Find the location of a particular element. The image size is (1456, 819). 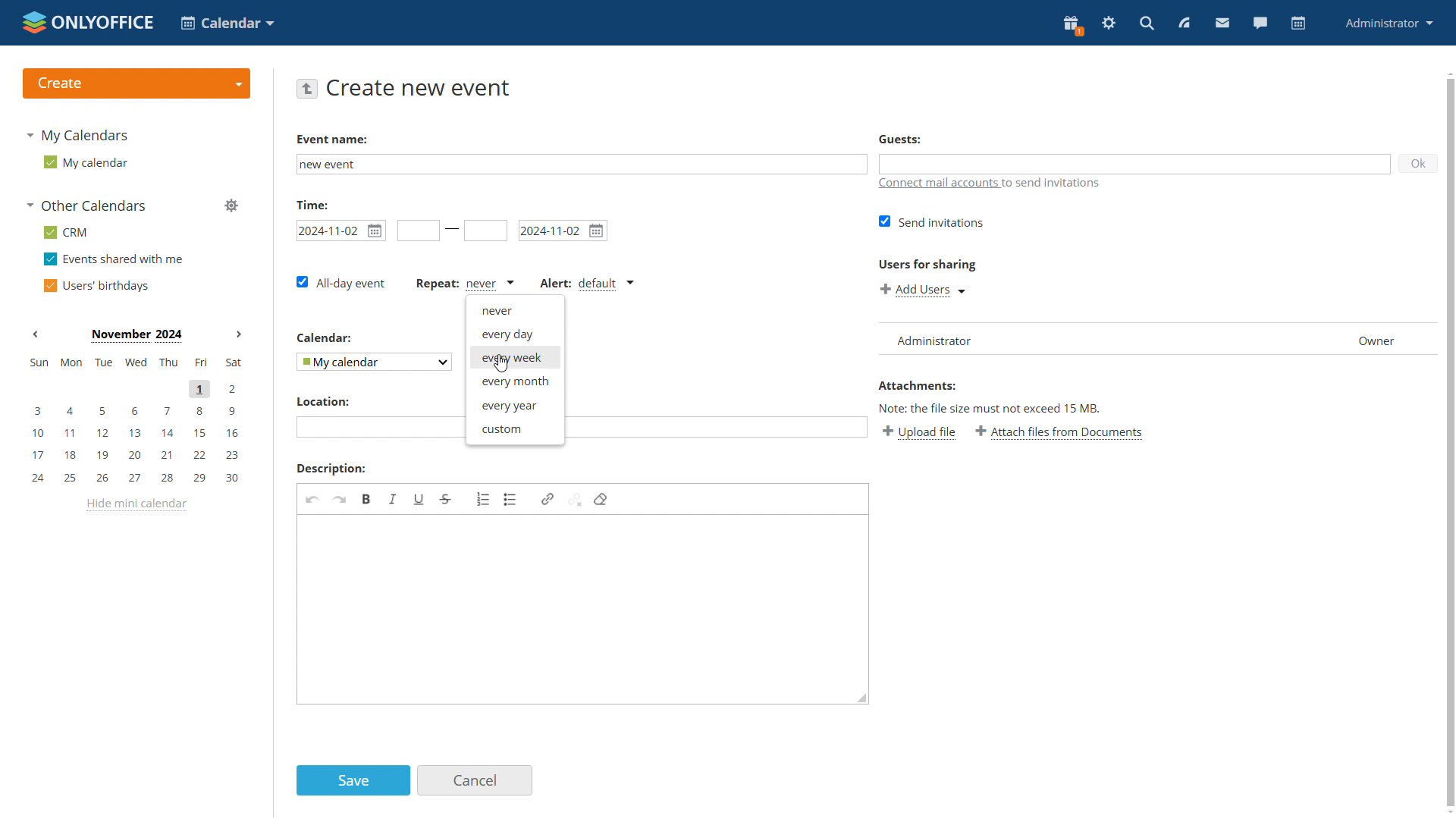

view is located at coordinates (1185, 23).